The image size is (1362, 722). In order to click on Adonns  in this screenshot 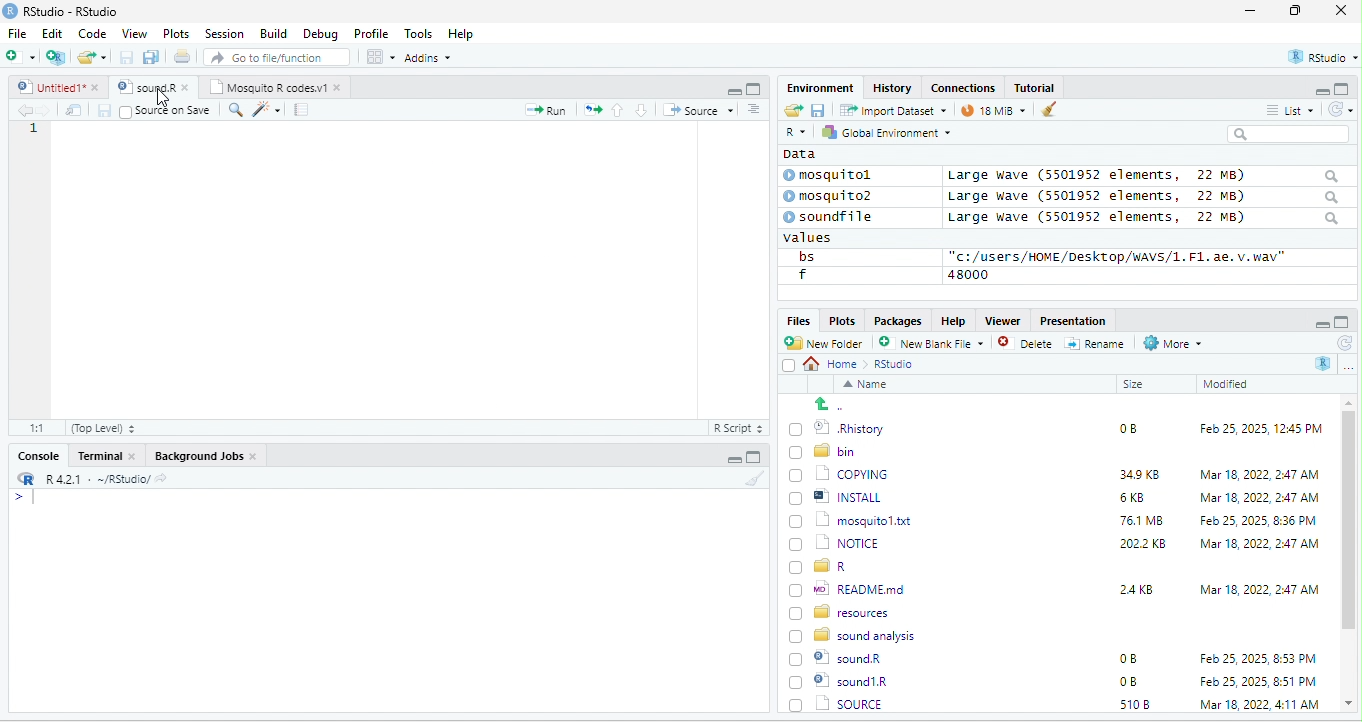, I will do `click(428, 61)`.